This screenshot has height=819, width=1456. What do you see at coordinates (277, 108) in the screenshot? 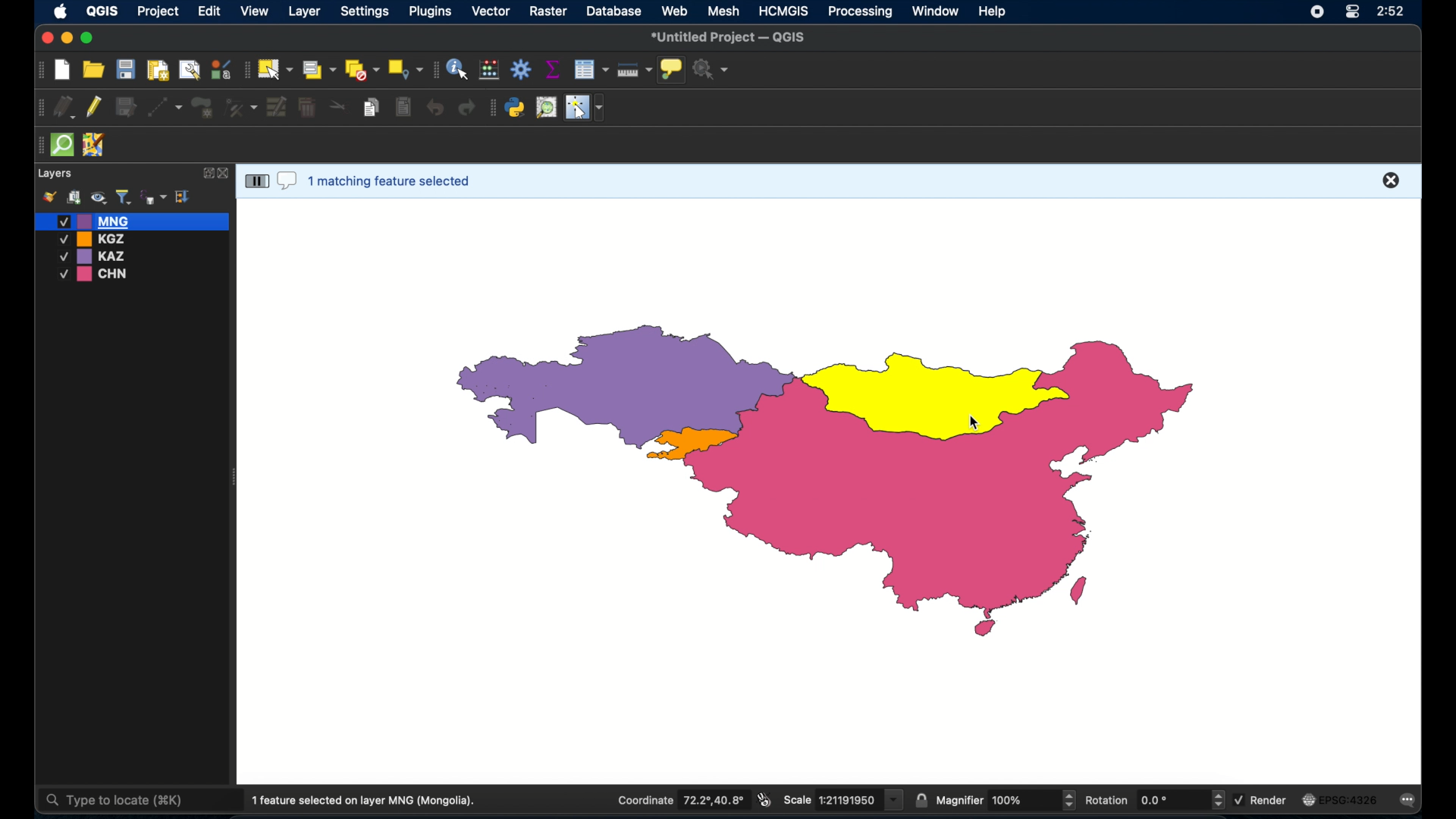
I see `modify attributes` at bounding box center [277, 108].